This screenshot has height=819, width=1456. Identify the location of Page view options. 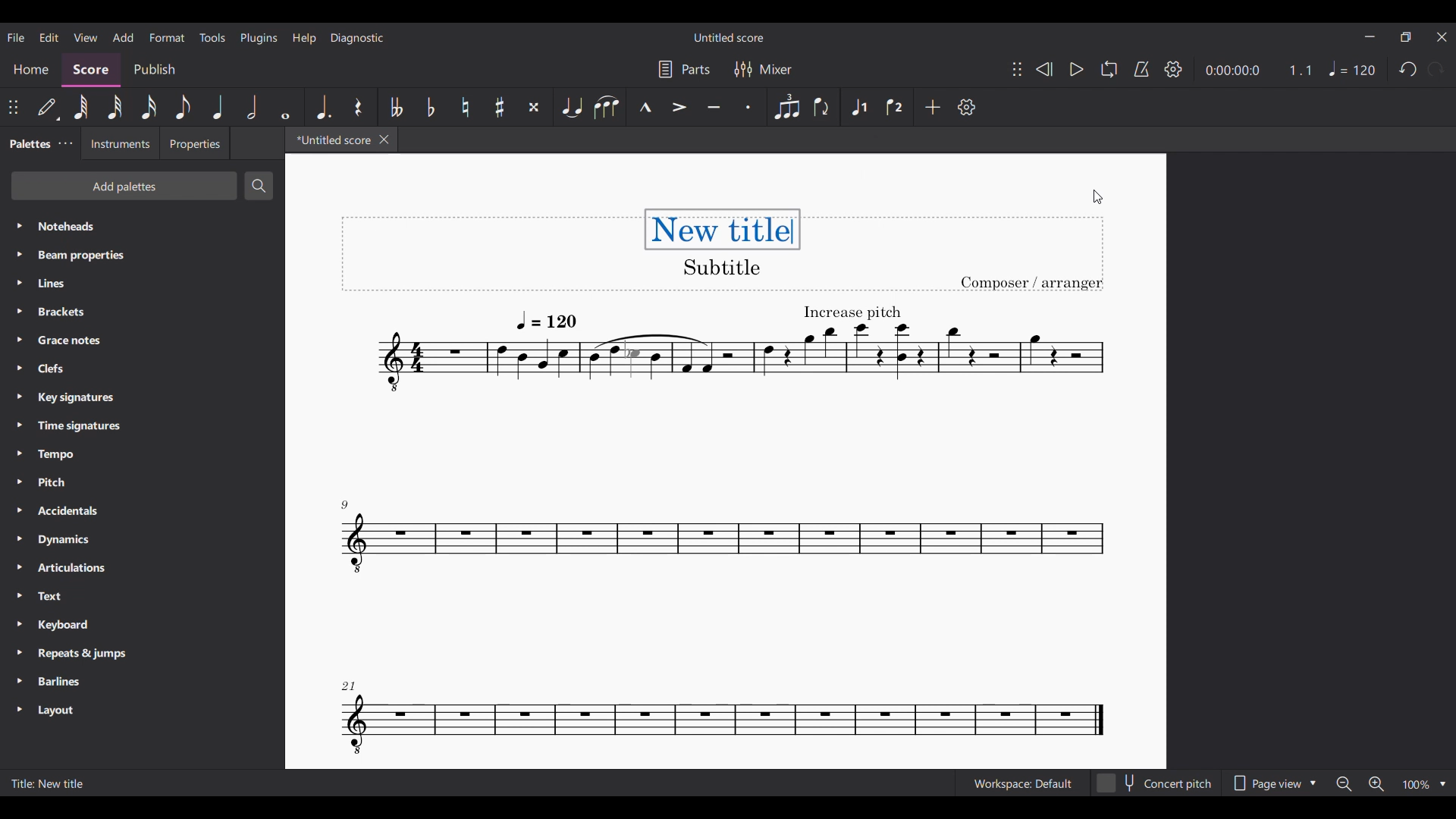
(1272, 783).